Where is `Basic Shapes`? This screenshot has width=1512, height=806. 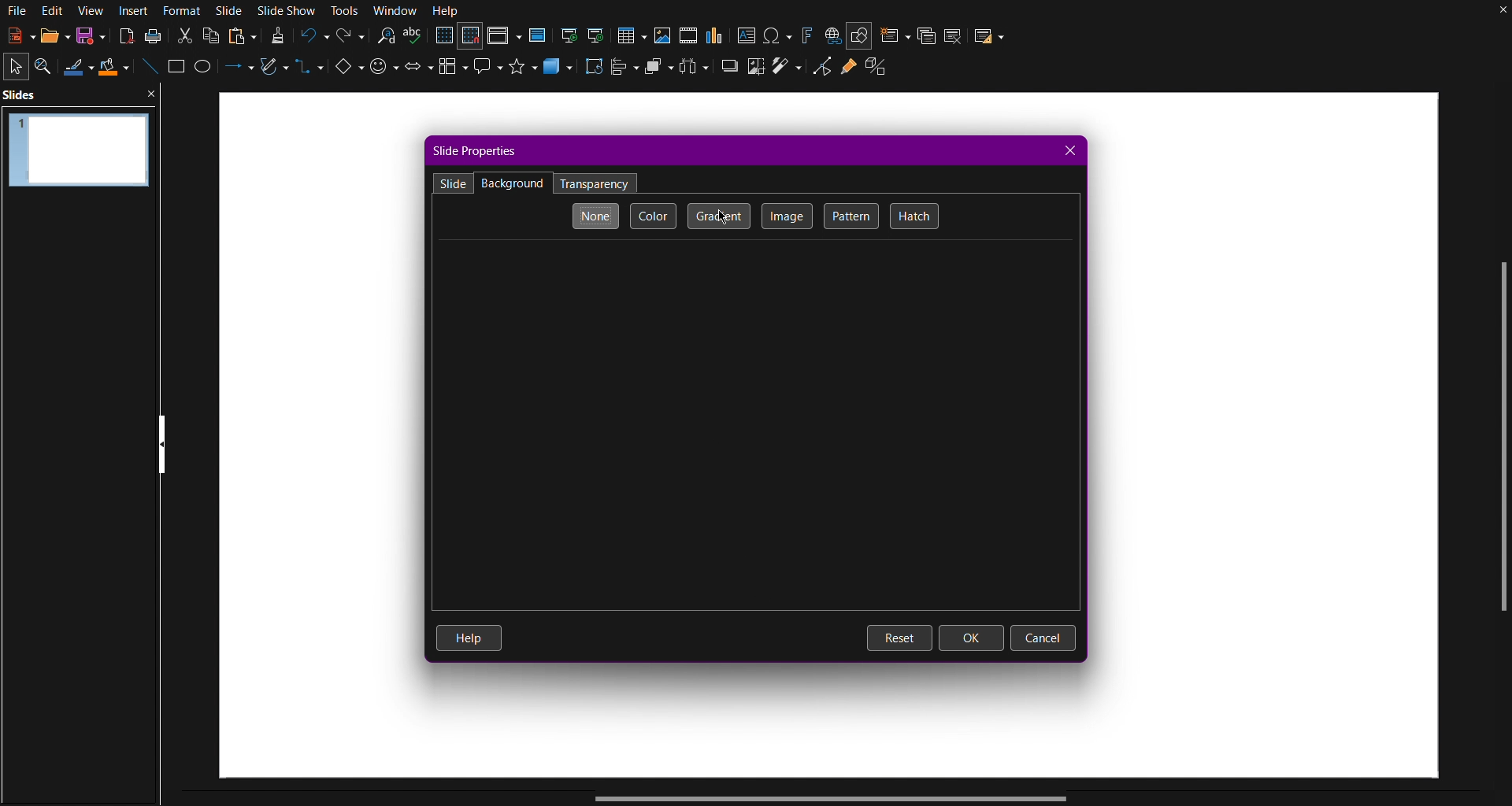 Basic Shapes is located at coordinates (346, 72).